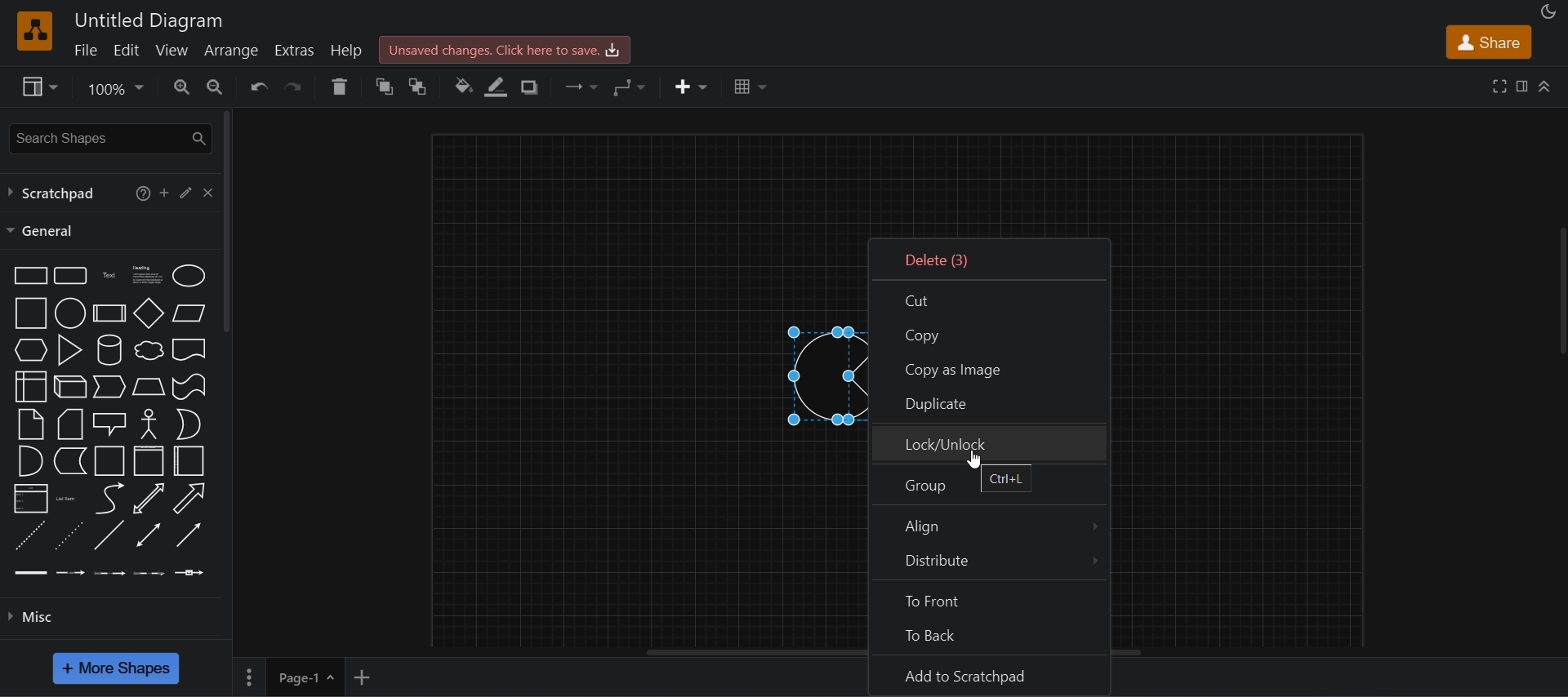  What do you see at coordinates (991, 259) in the screenshot?
I see `delete (3)` at bounding box center [991, 259].